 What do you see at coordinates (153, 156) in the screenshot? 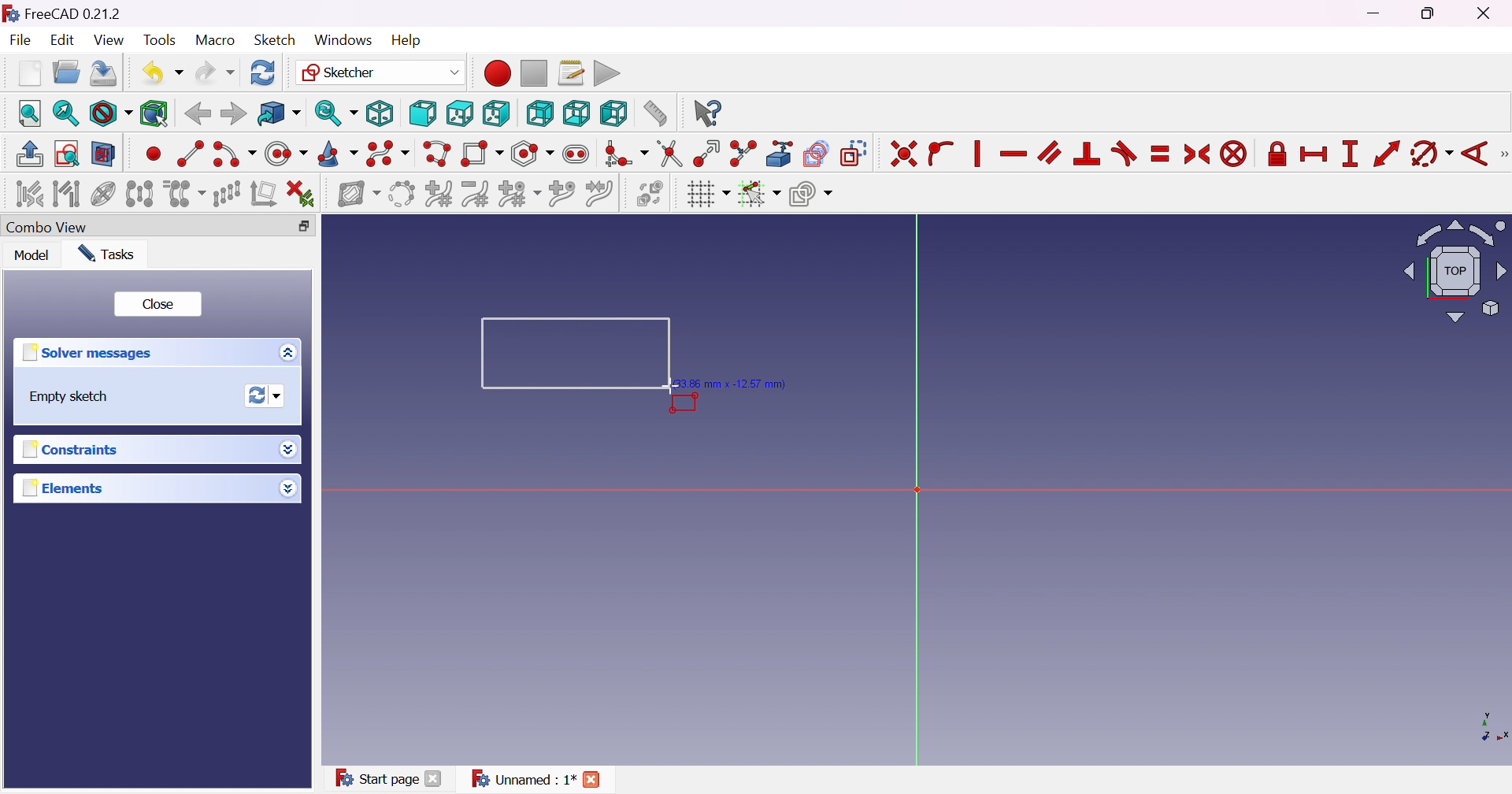
I see `Create point` at bounding box center [153, 156].